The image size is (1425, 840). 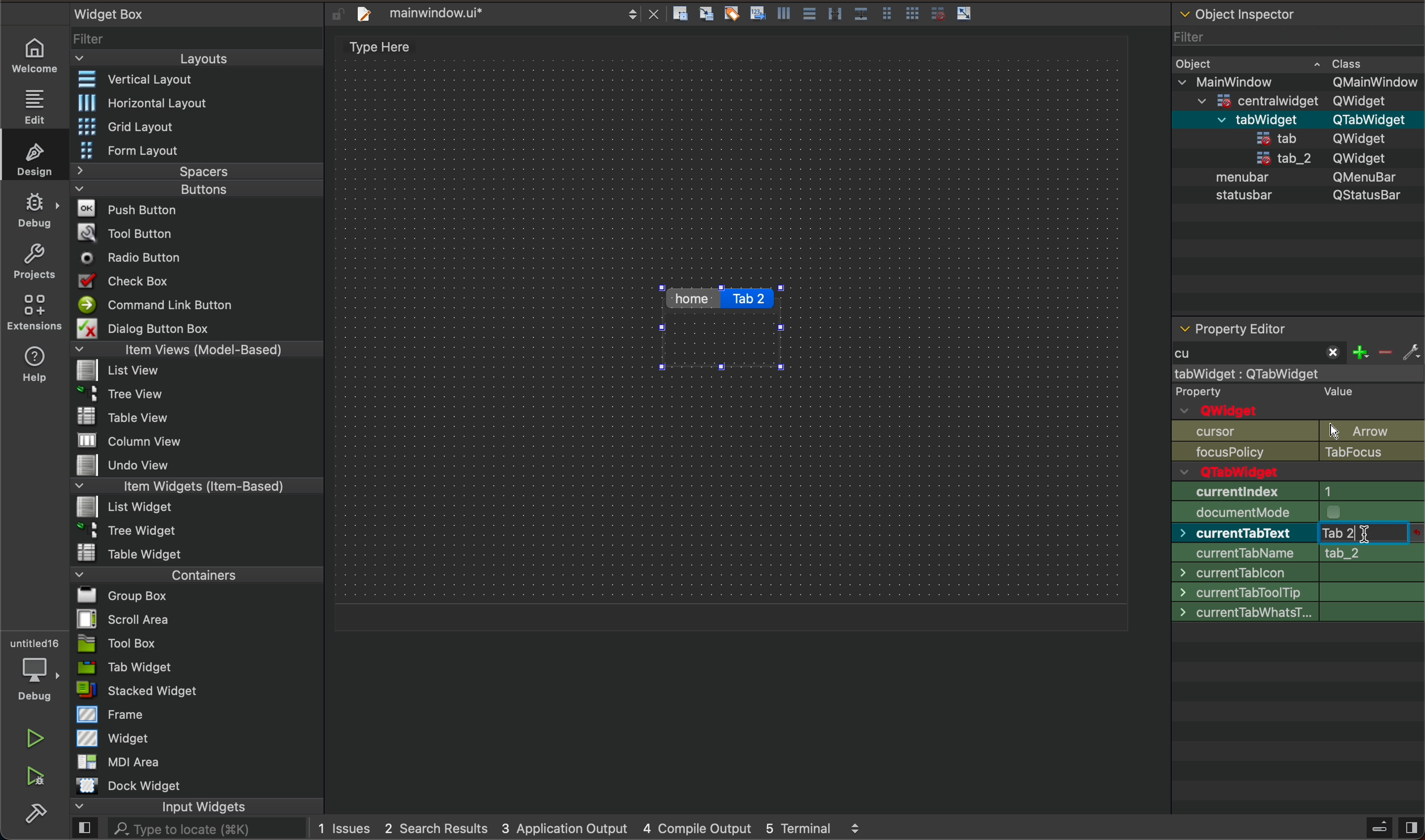 I want to click on  Grid Layout, so click(x=120, y=126).